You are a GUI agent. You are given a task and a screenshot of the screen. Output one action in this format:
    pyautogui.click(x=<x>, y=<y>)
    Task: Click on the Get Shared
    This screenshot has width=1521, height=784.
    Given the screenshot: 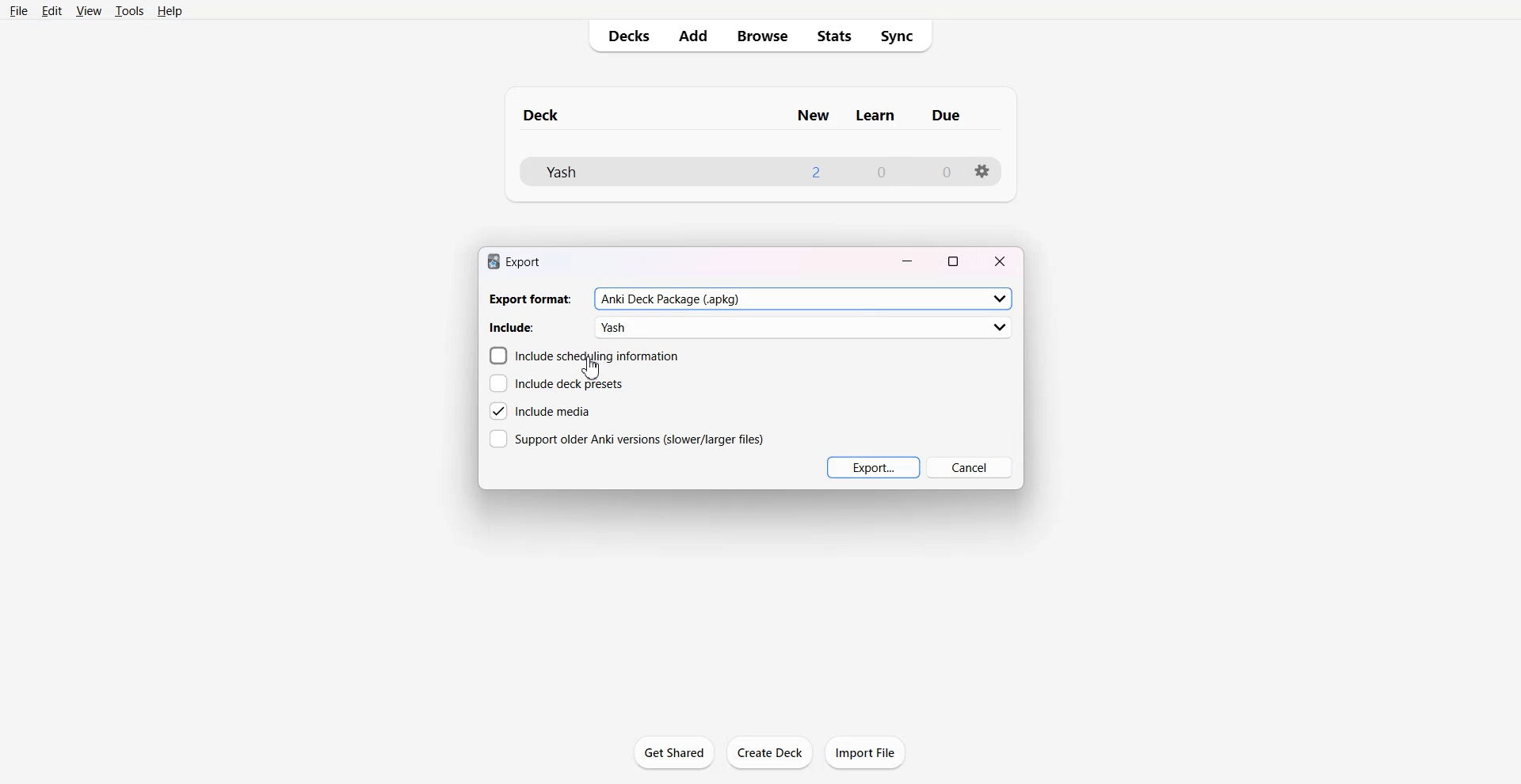 What is the action you would take?
    pyautogui.click(x=674, y=752)
    